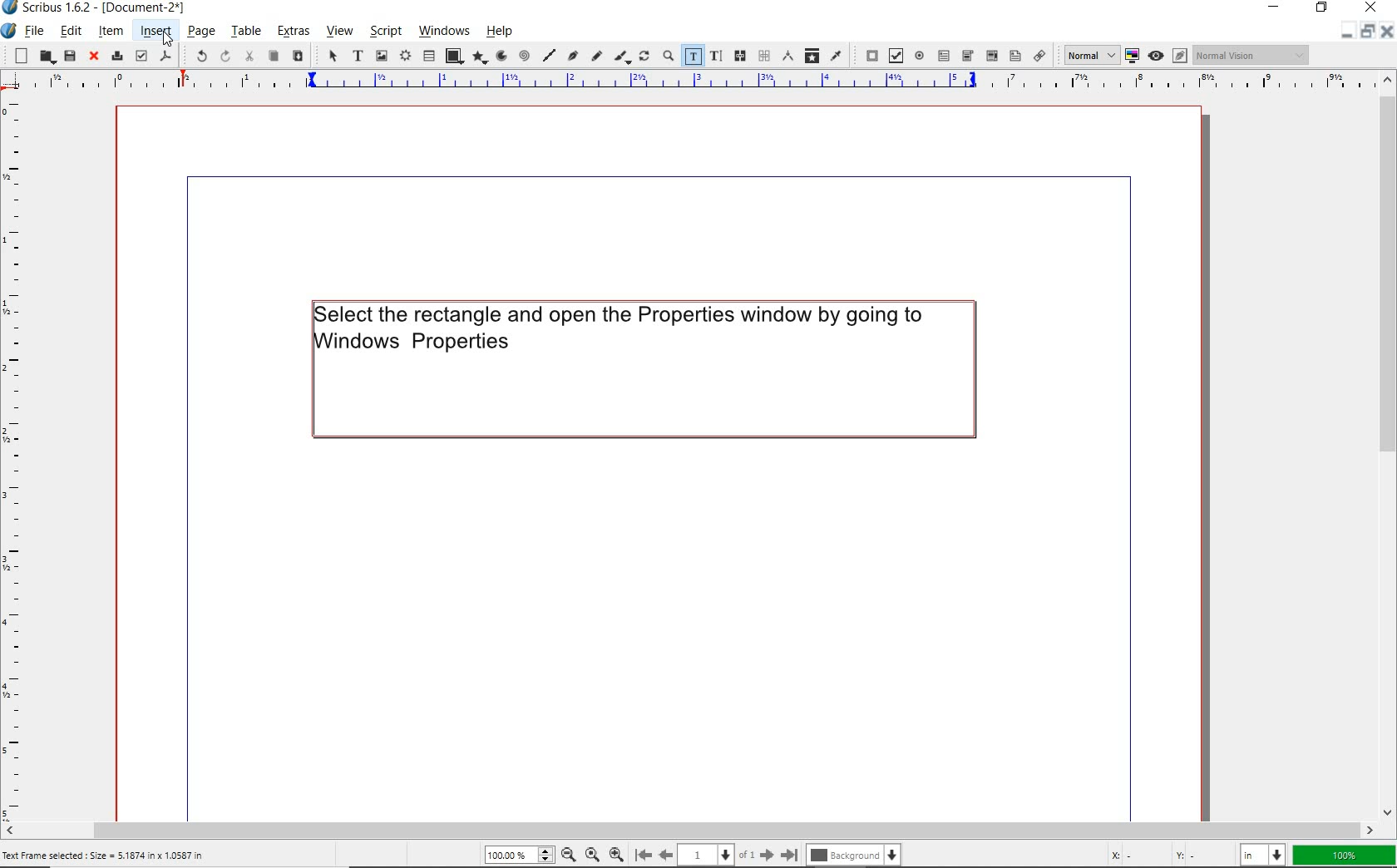  I want to click on go to the first page, so click(642, 854).